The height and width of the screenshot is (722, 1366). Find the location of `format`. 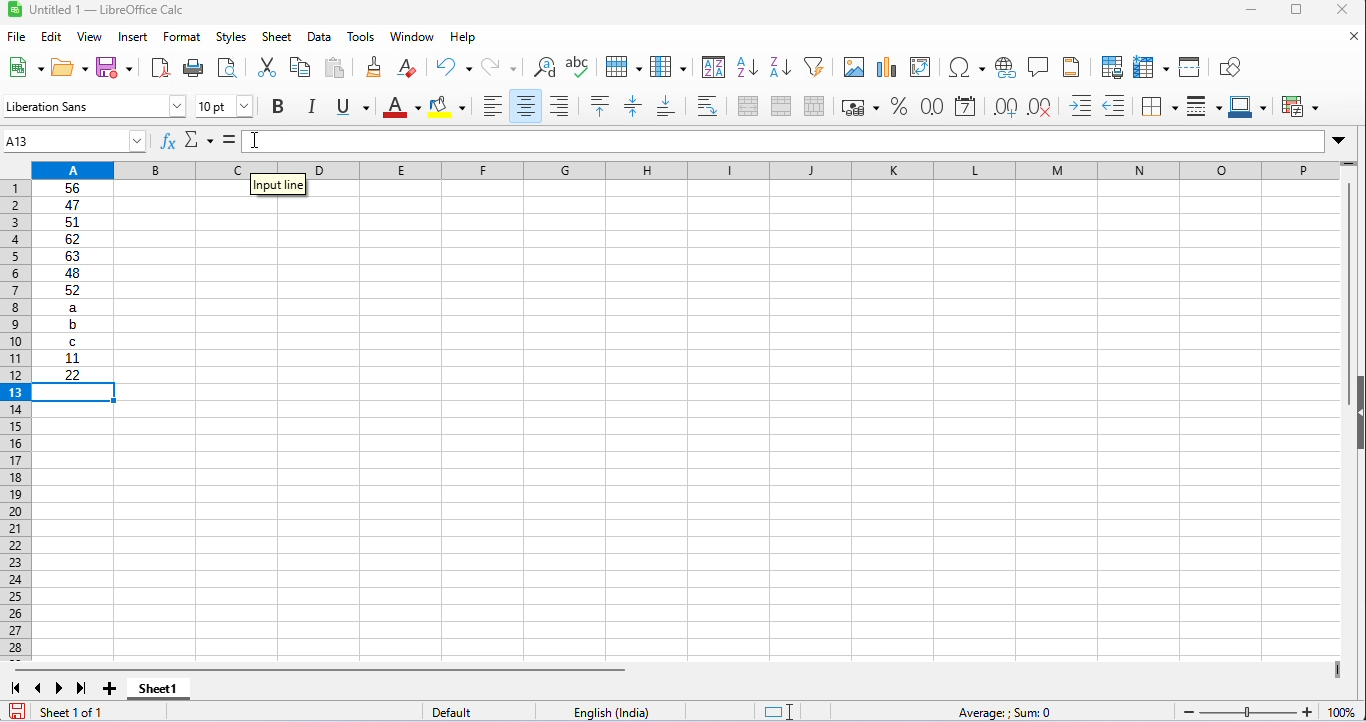

format is located at coordinates (182, 37).